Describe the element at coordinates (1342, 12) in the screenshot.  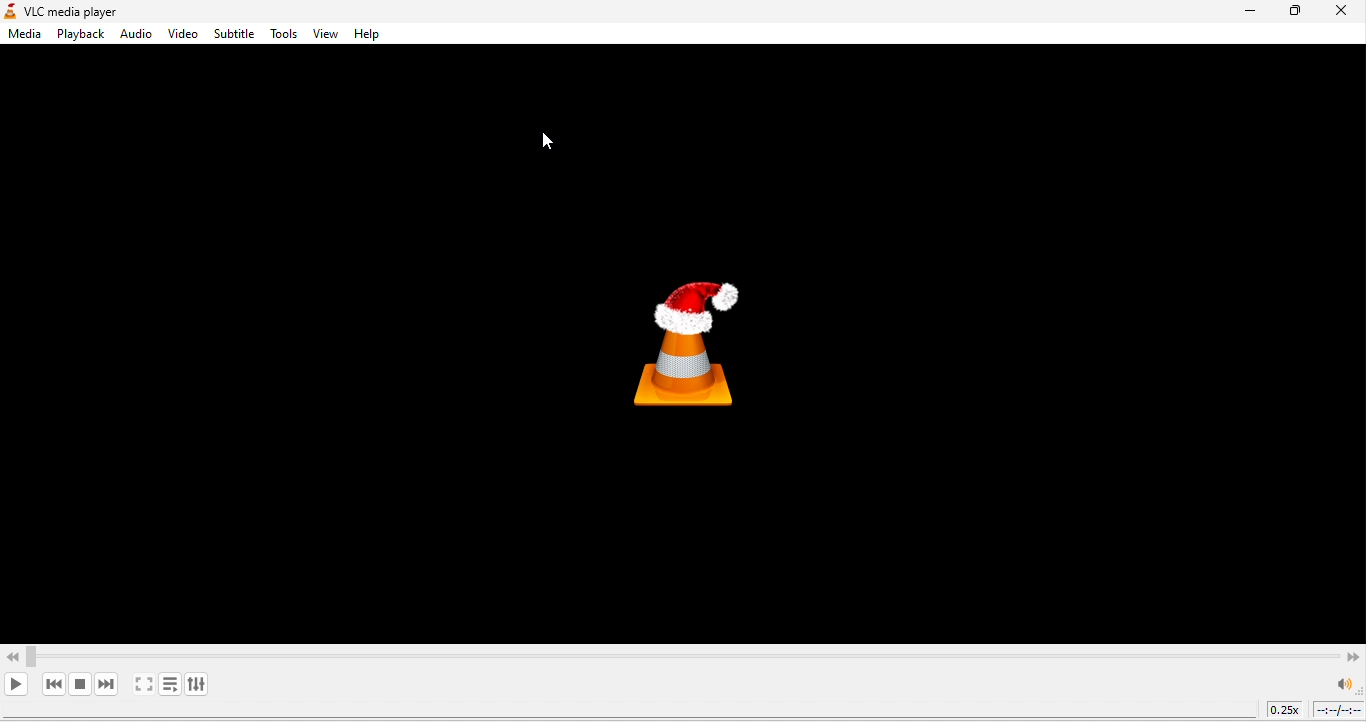
I see `close` at that location.